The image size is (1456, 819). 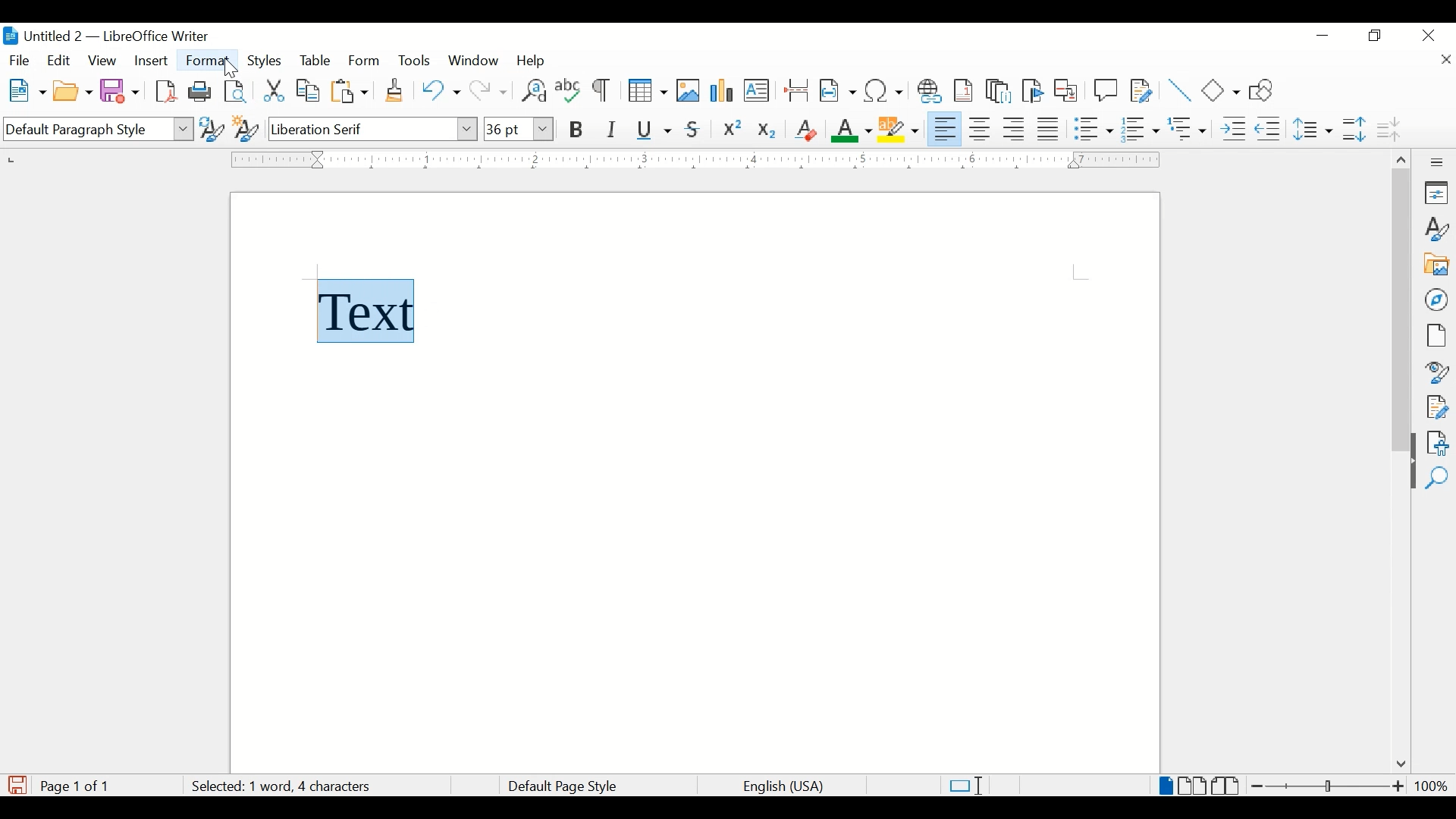 I want to click on clone formatting, so click(x=396, y=91).